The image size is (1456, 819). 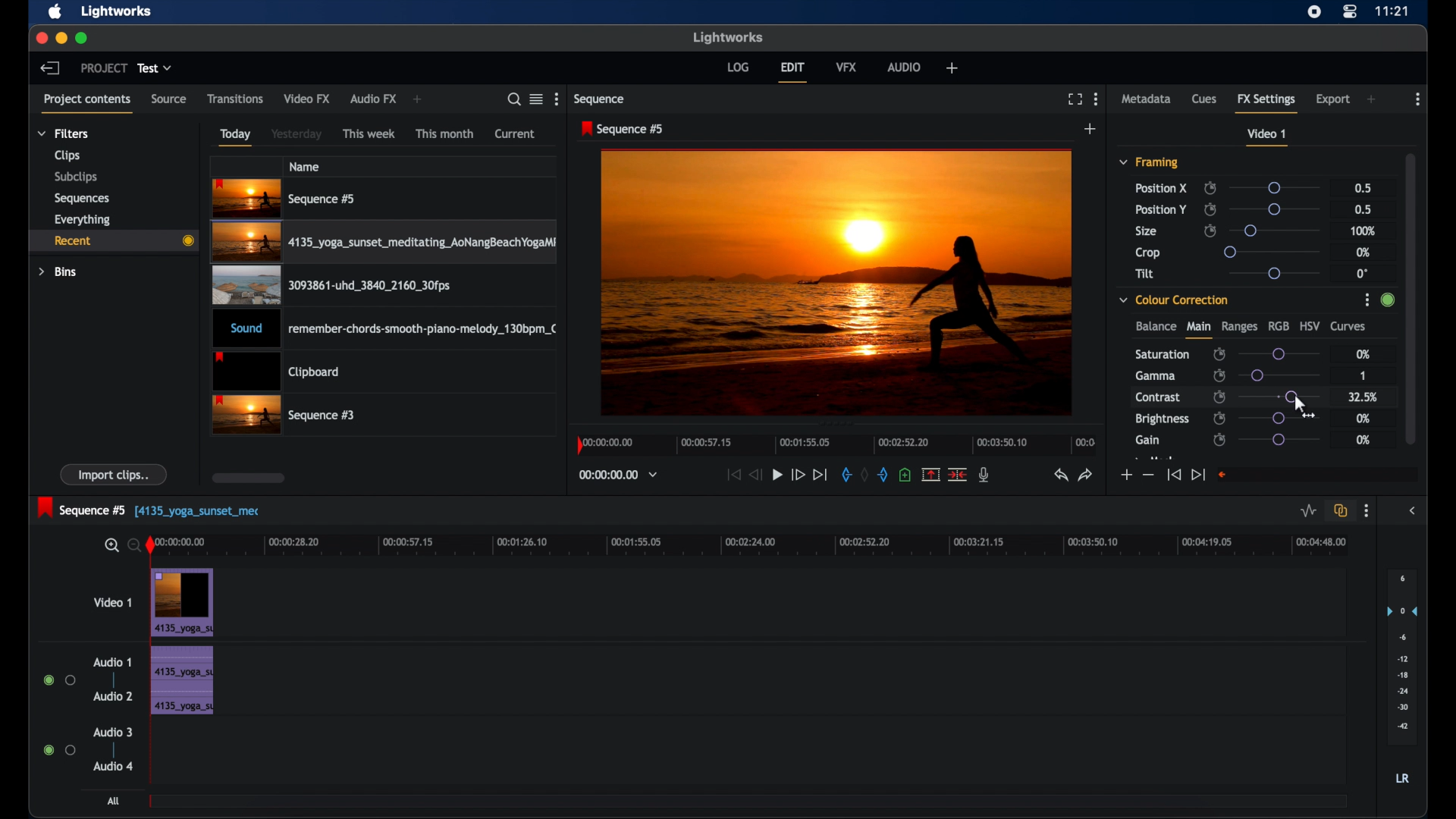 I want to click on toggle auto track sync, so click(x=1341, y=511).